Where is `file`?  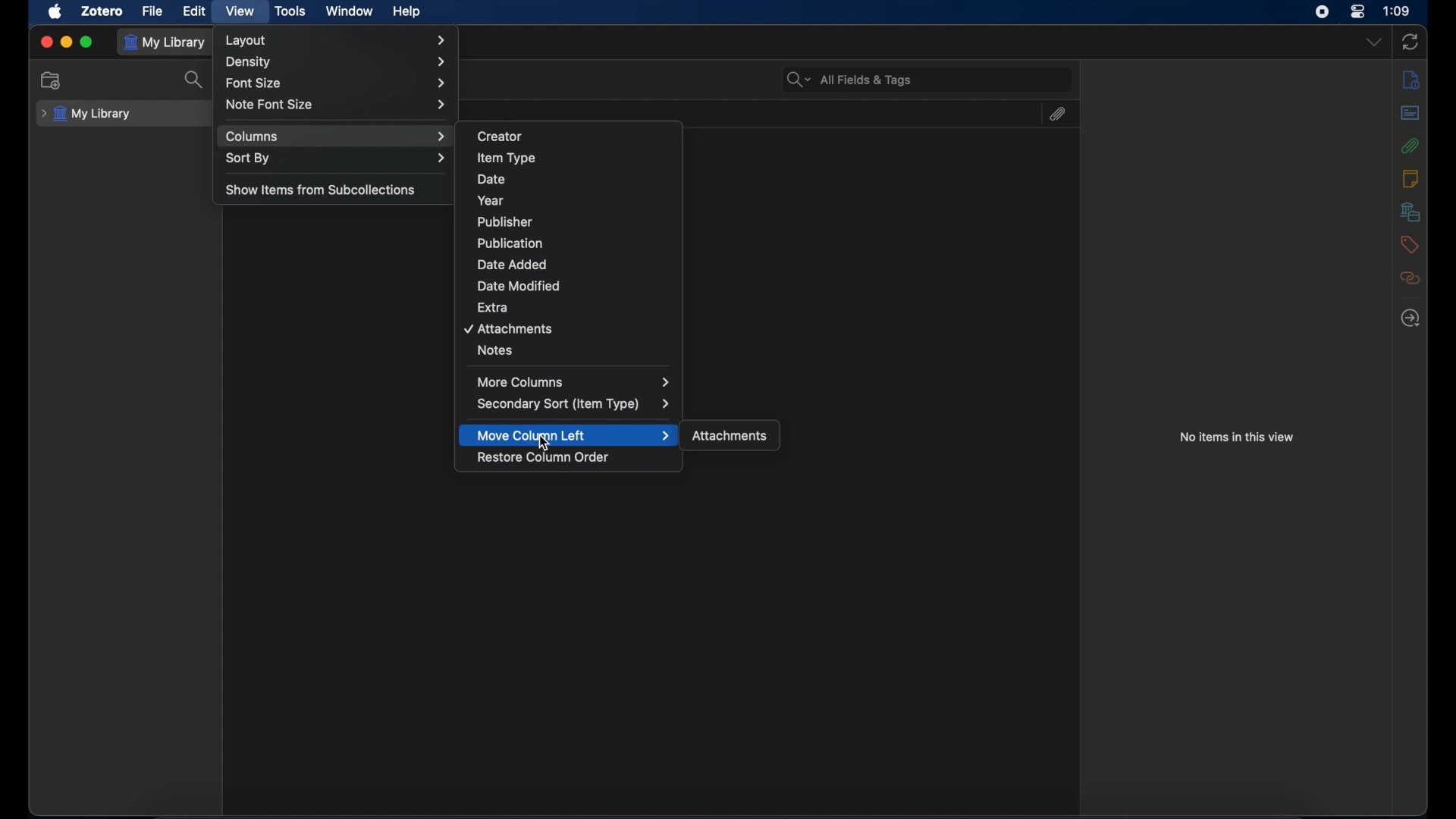 file is located at coordinates (153, 11).